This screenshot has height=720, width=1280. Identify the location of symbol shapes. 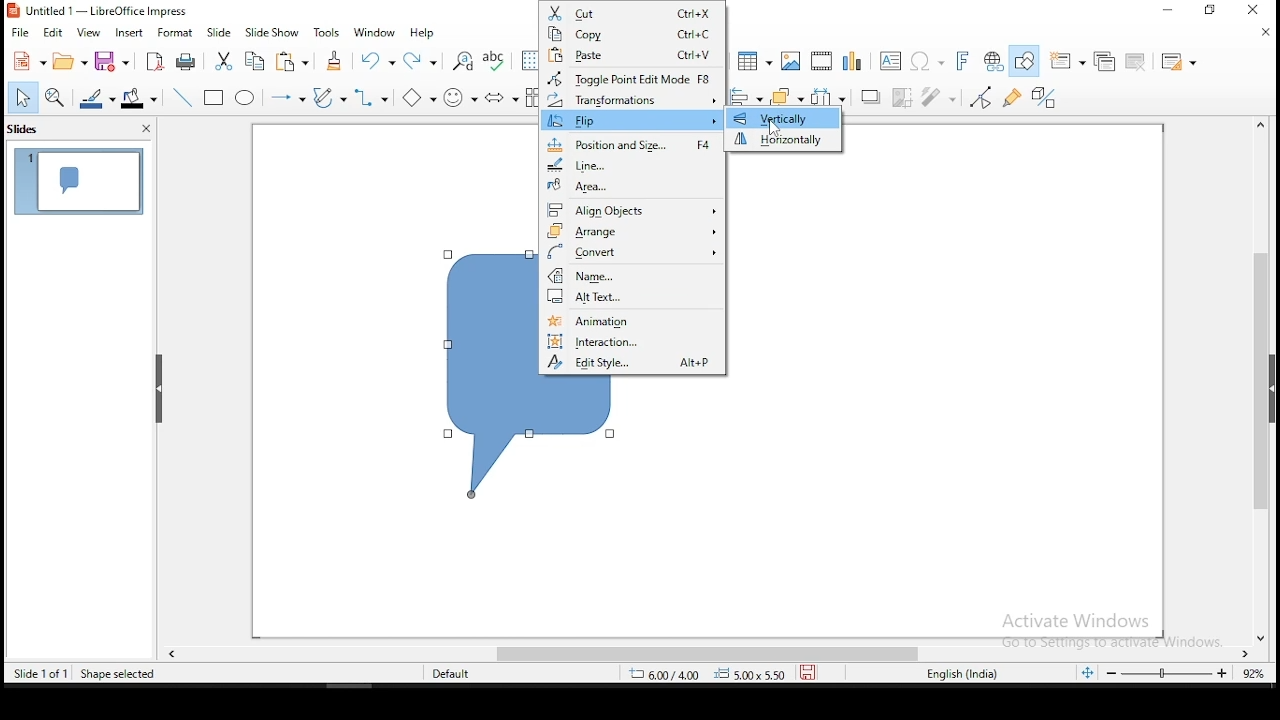
(458, 95).